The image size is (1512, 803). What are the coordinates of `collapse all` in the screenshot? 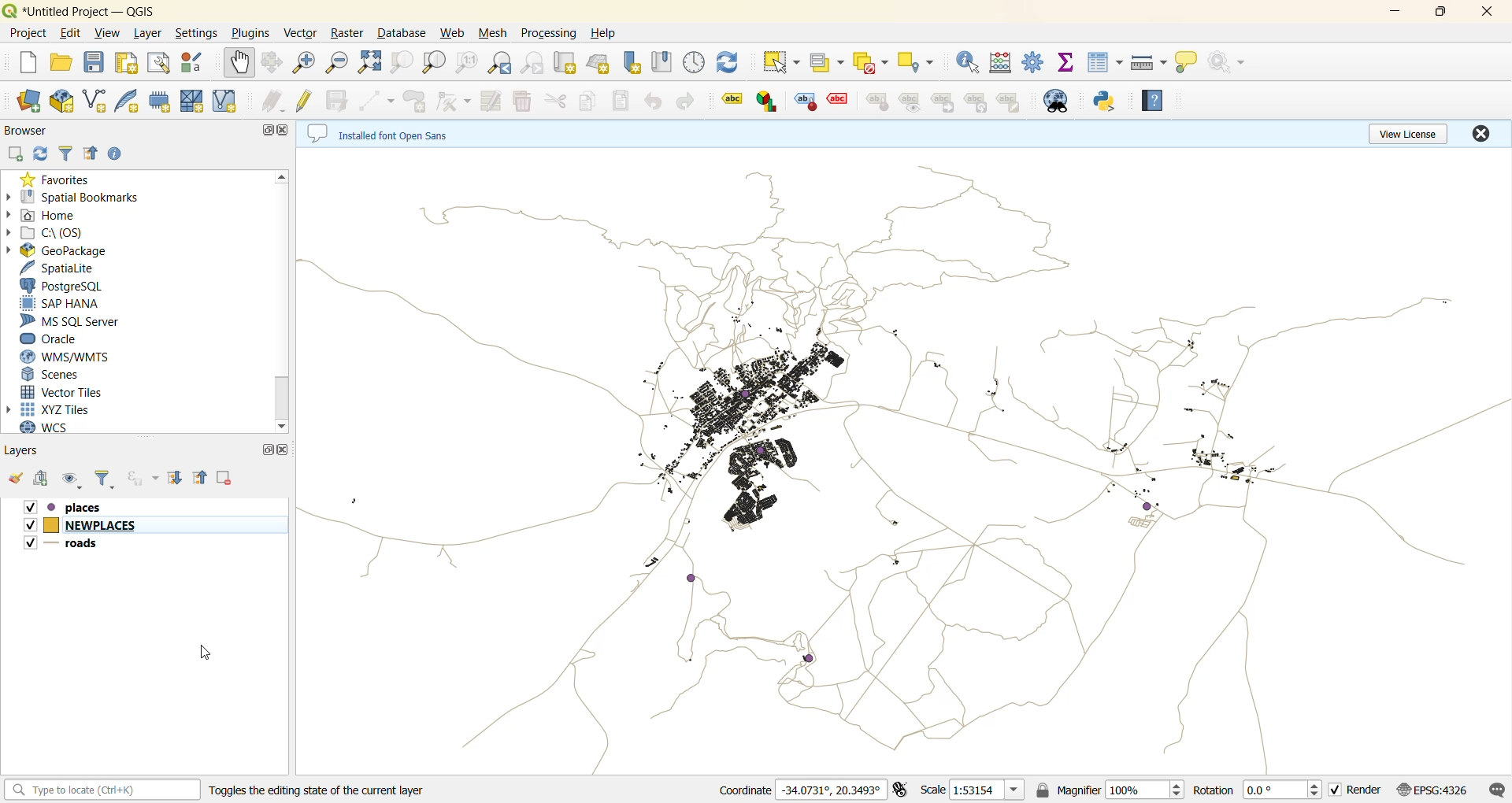 It's located at (200, 477).